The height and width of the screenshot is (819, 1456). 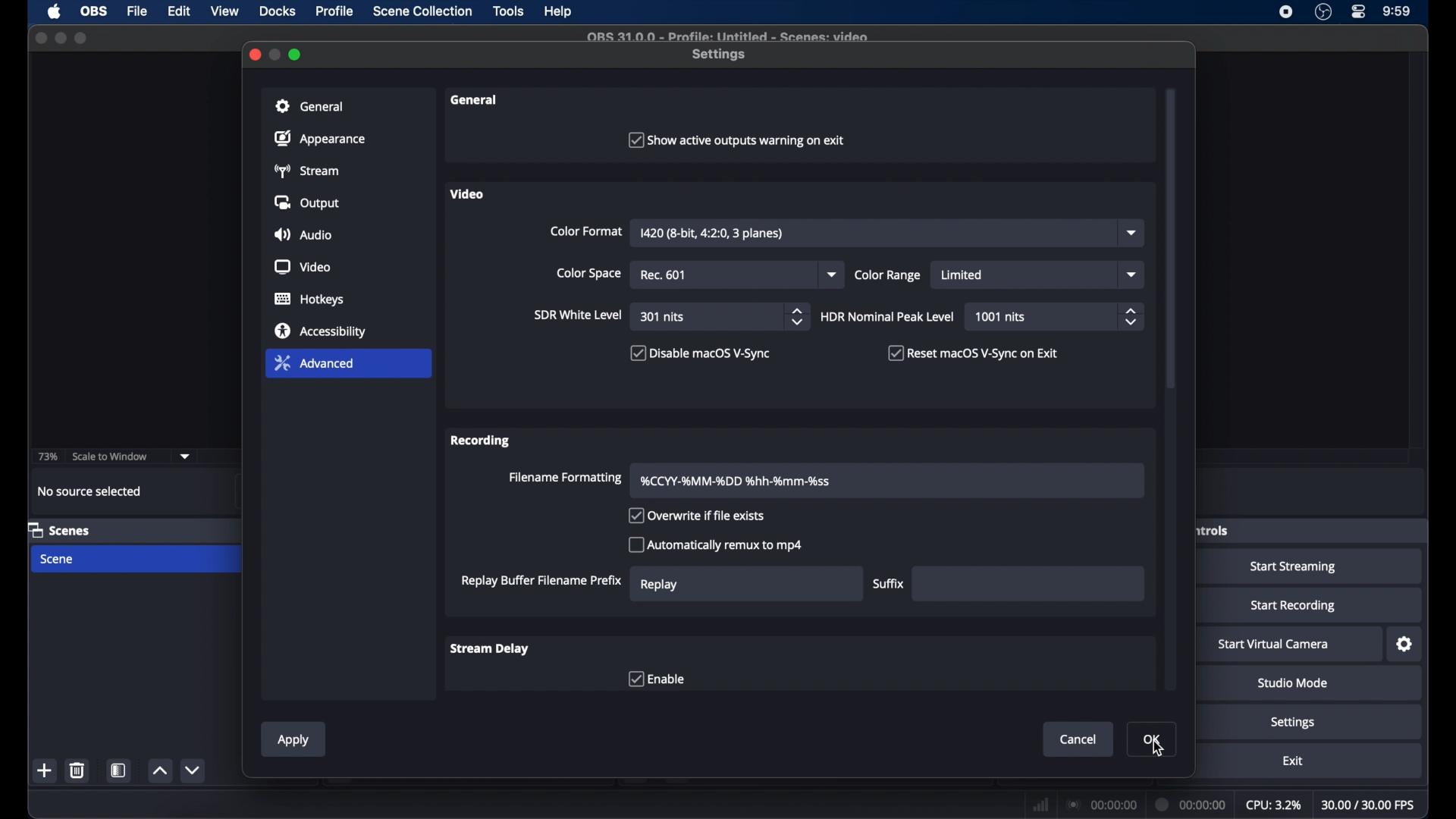 I want to click on start streaming, so click(x=1294, y=566).